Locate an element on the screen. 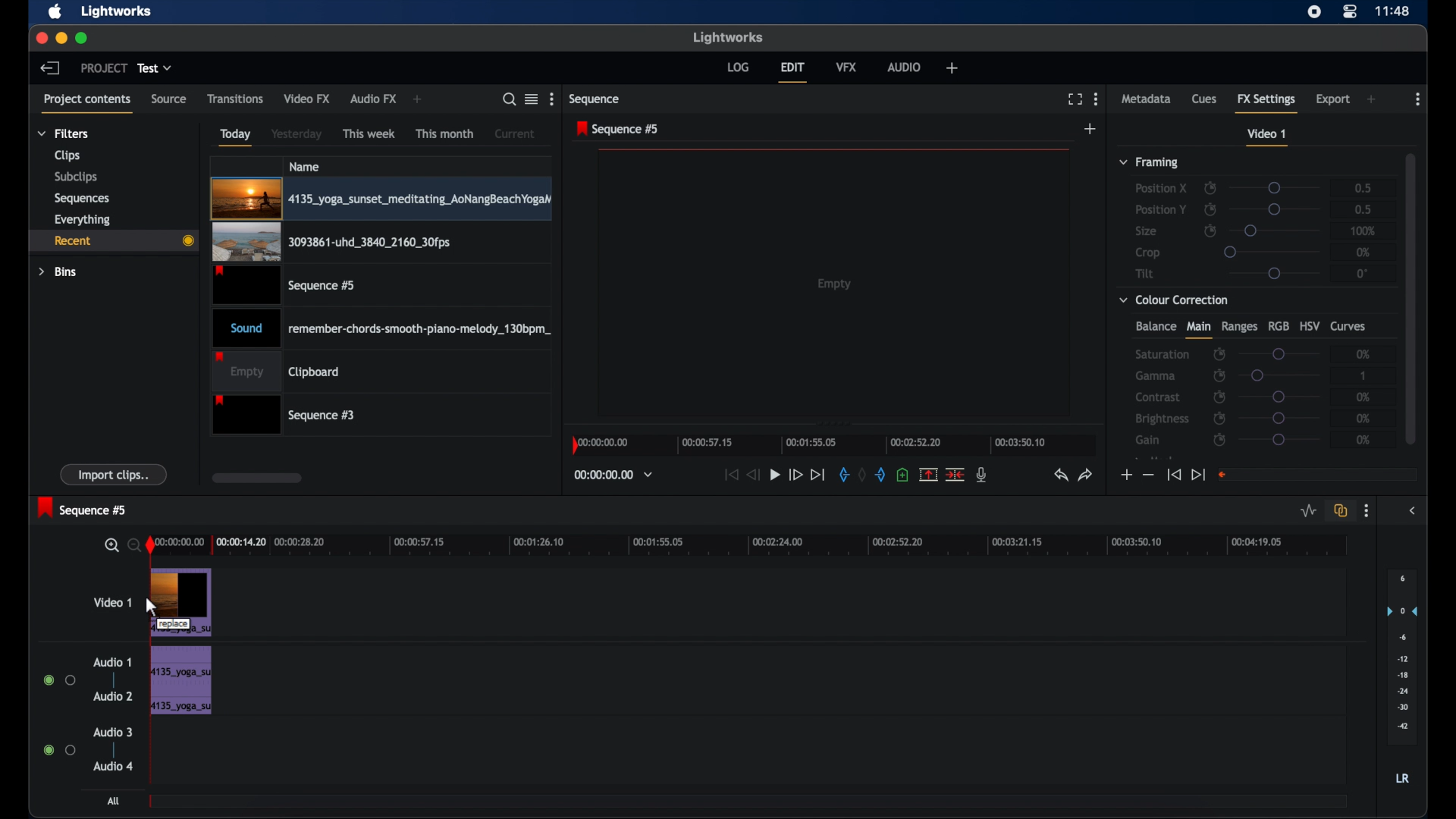 This screenshot has height=819, width=1456. sequence 5 is located at coordinates (83, 507).